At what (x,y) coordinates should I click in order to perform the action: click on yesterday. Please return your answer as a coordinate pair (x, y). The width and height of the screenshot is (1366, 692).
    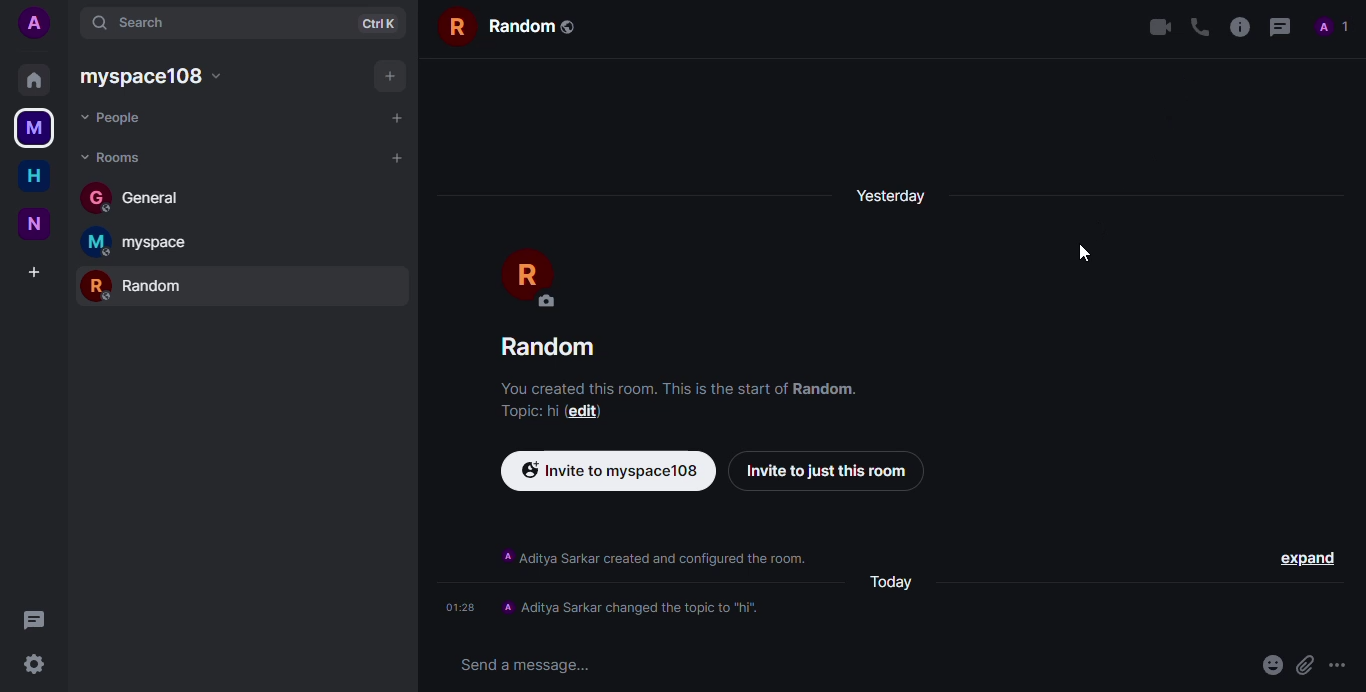
    Looking at the image, I should click on (904, 201).